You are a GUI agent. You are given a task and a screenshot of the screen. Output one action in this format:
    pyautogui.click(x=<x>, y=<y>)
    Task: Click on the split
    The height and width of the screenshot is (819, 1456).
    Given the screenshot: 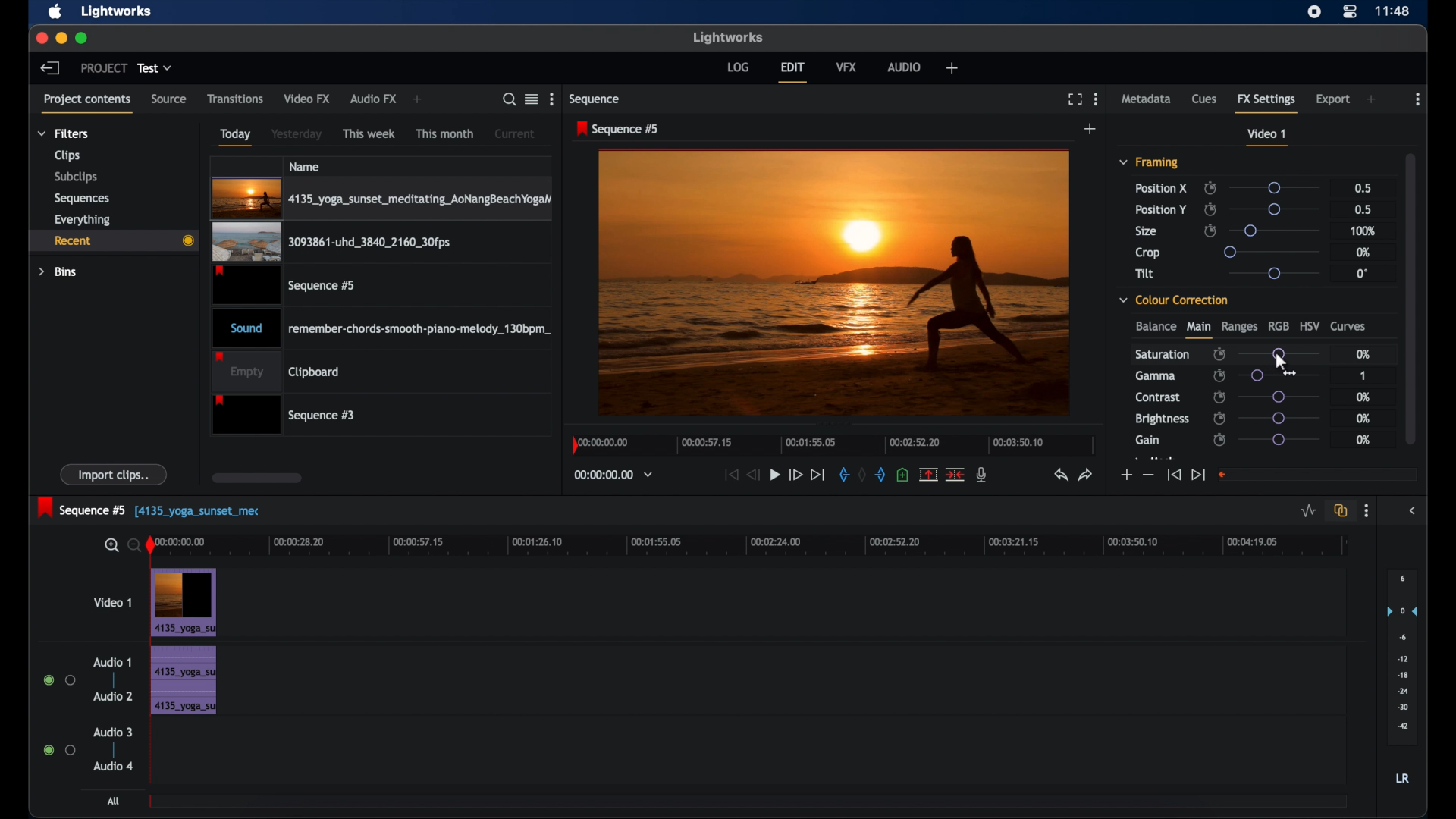 What is the action you would take?
    pyautogui.click(x=928, y=474)
    